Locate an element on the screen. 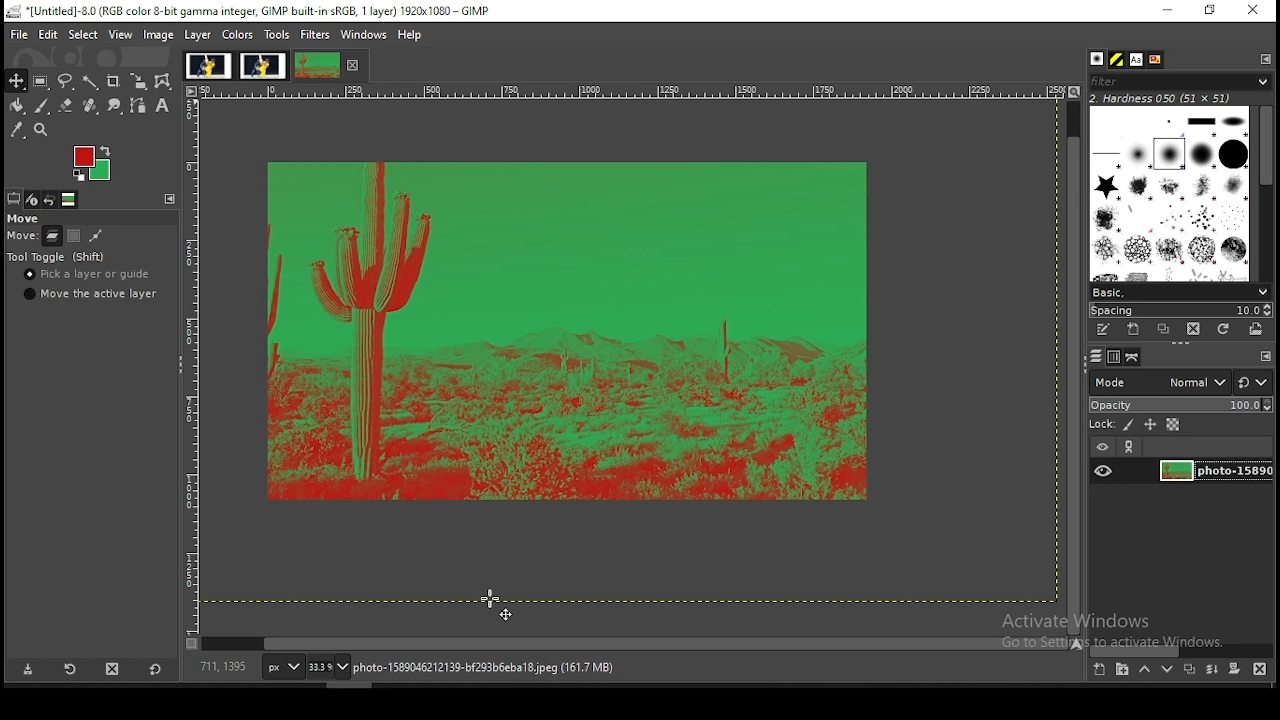  move is located at coordinates (22, 218).